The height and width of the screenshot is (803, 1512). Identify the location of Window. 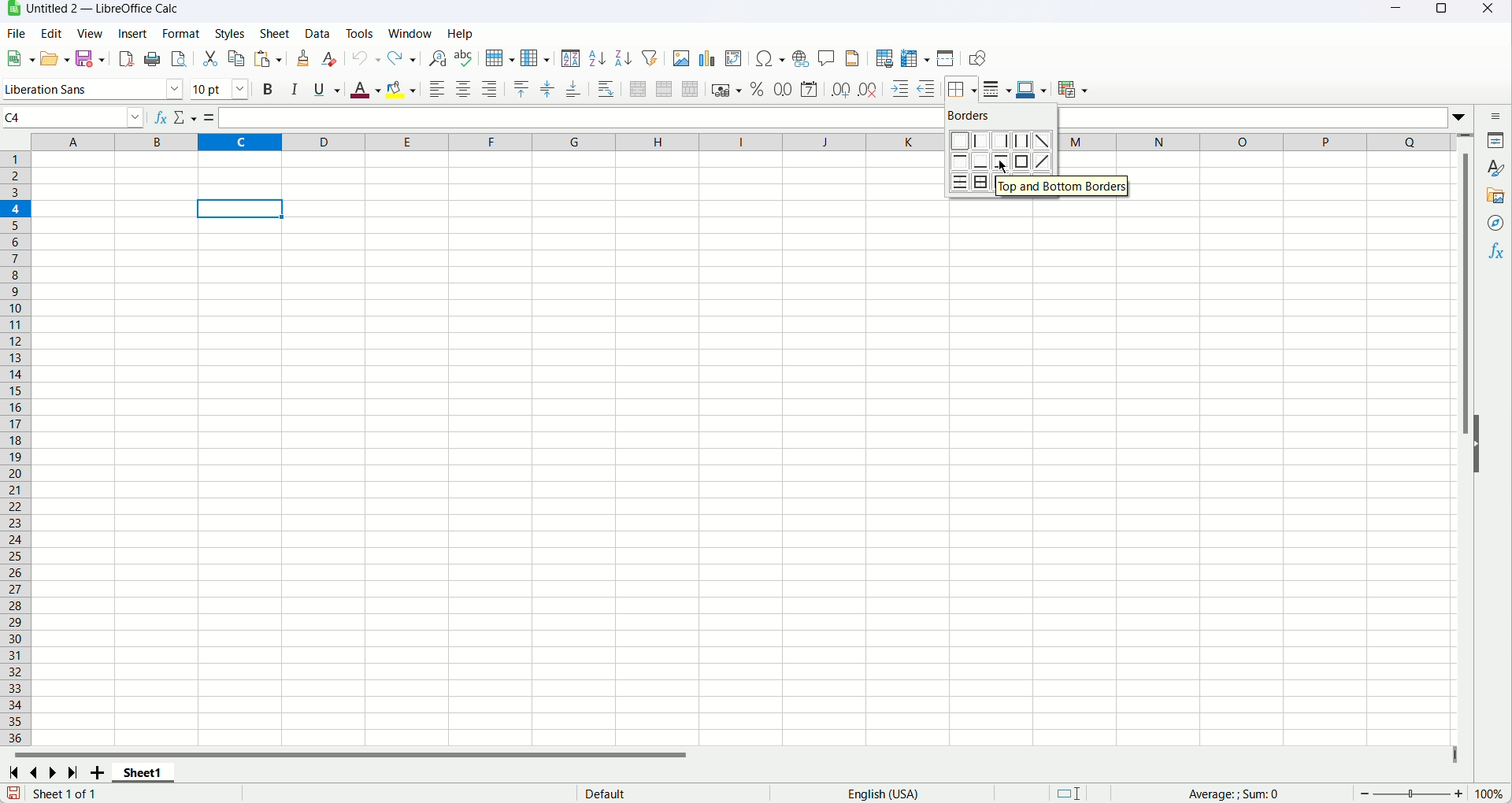
(410, 33).